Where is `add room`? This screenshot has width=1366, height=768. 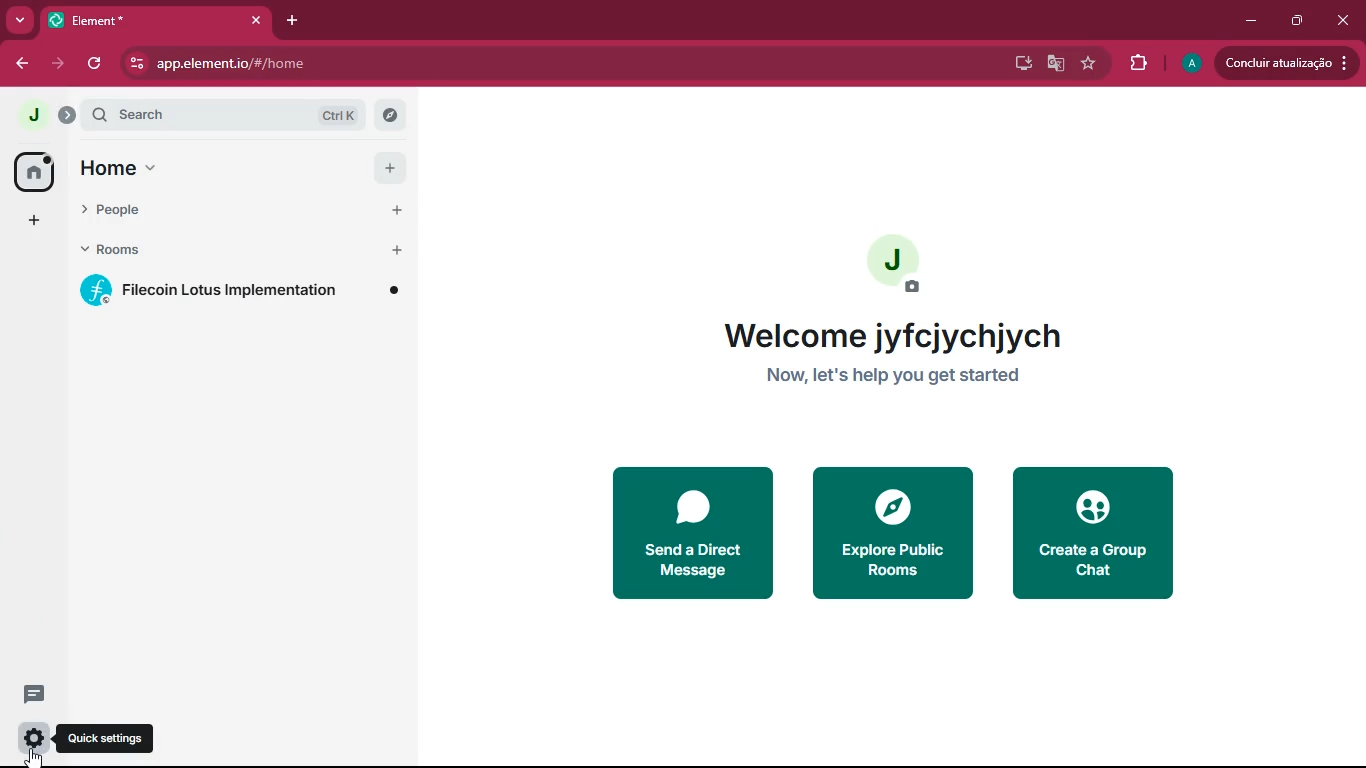 add room is located at coordinates (397, 250).